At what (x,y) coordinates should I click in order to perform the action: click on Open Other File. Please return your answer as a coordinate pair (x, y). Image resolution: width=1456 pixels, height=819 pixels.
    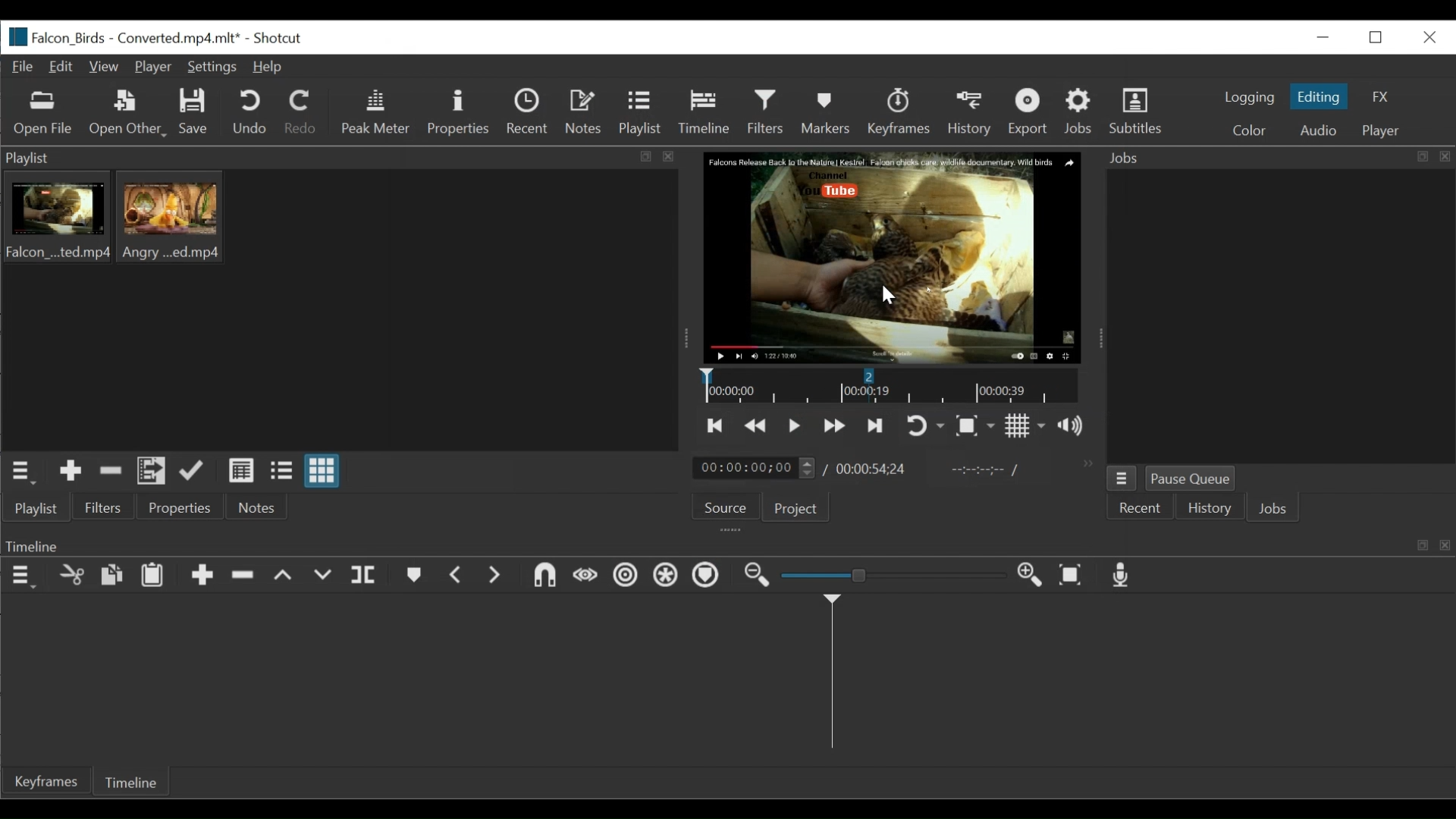
    Looking at the image, I should click on (43, 114).